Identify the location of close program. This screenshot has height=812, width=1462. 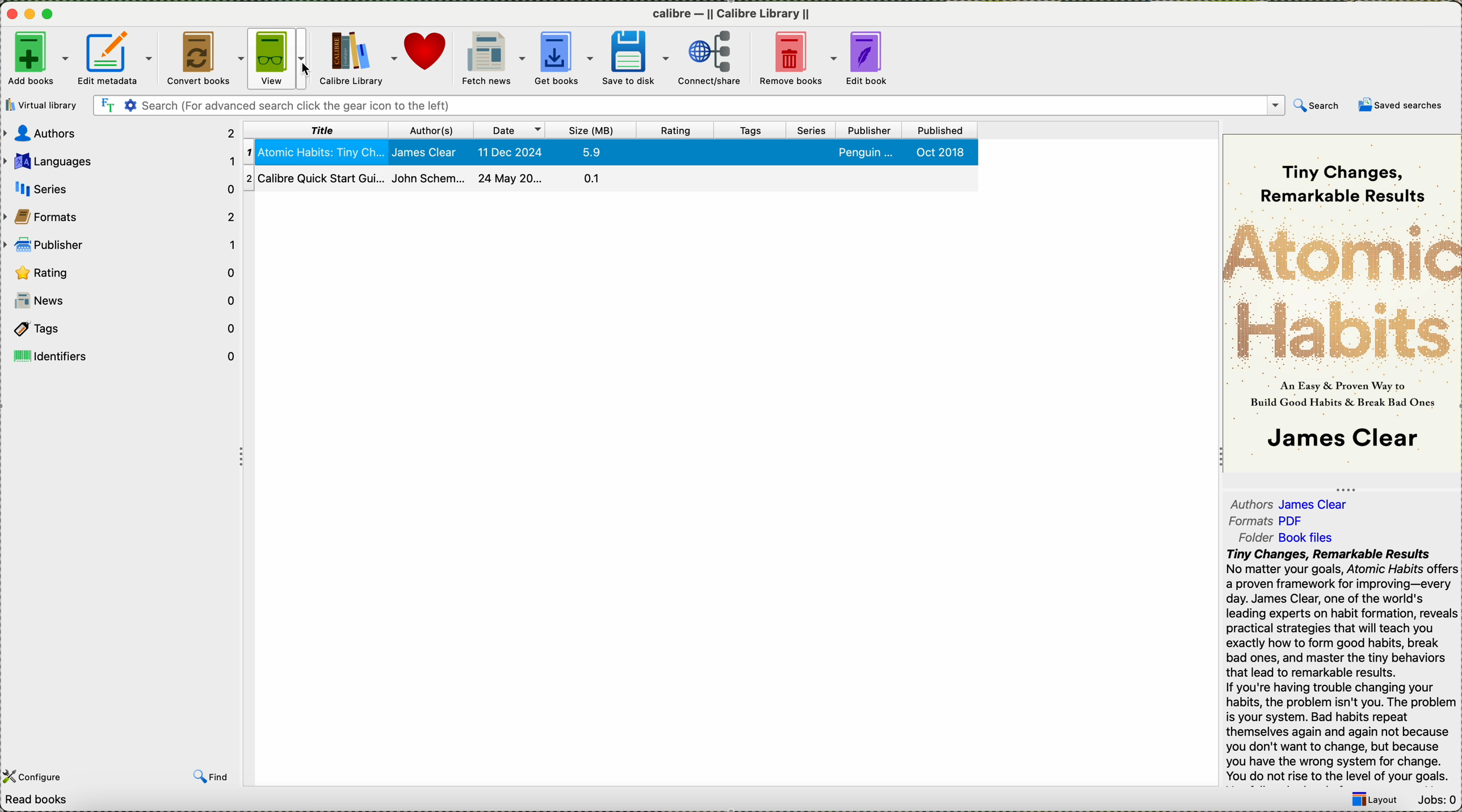
(9, 13).